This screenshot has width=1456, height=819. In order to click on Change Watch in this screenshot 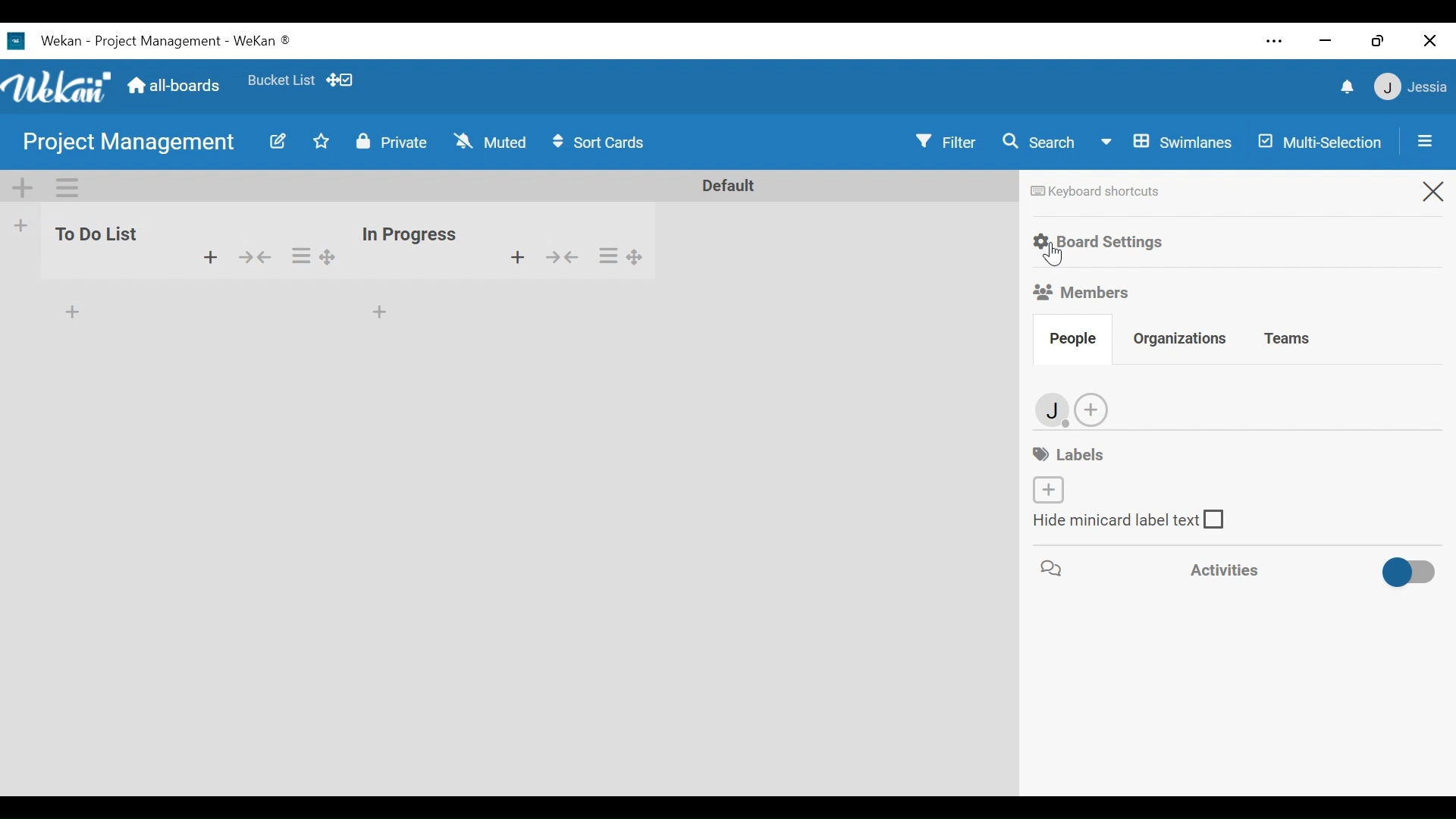, I will do `click(493, 141)`.